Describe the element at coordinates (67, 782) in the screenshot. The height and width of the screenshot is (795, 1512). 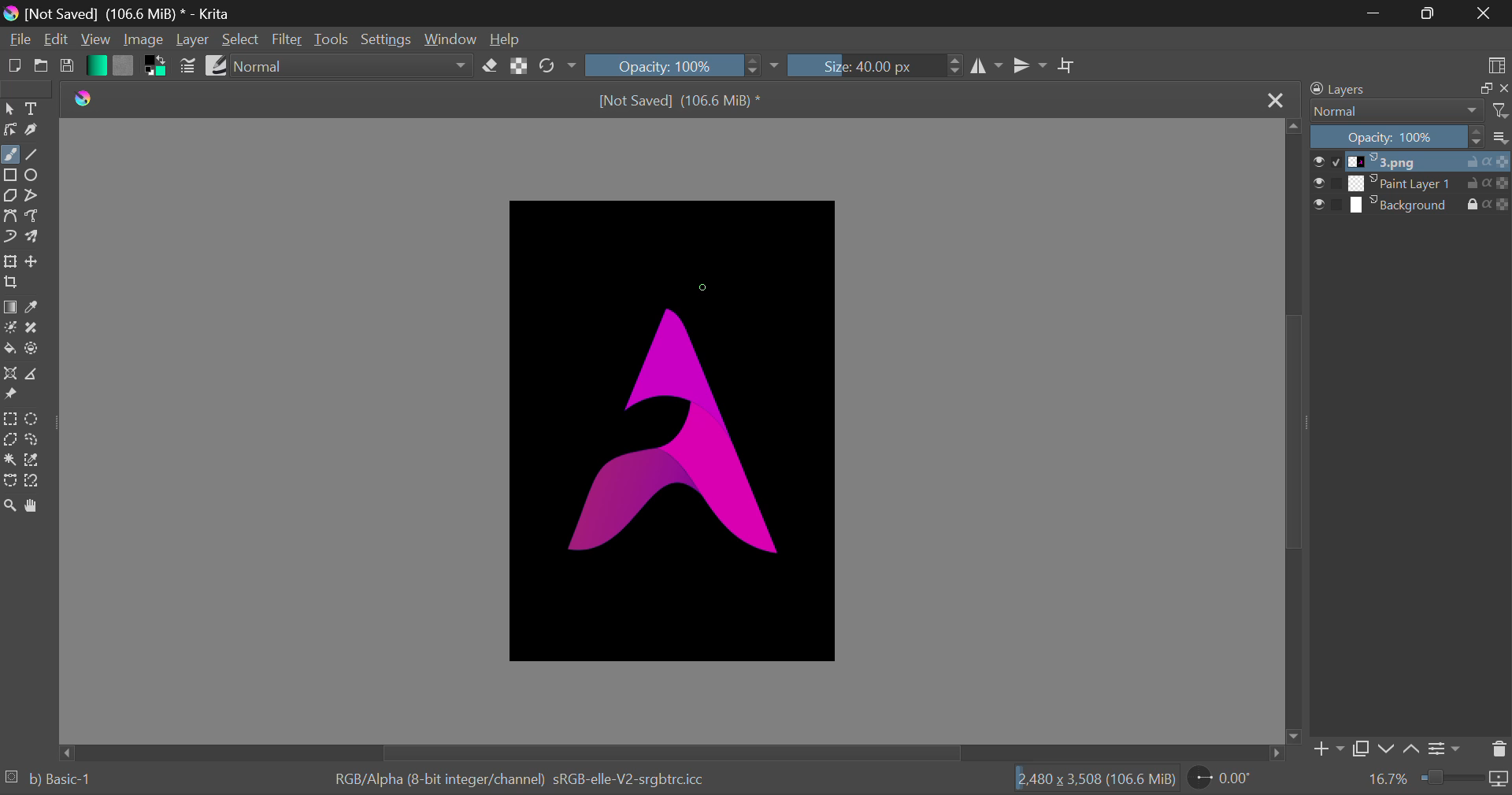
I see `b) Basic 1` at that location.